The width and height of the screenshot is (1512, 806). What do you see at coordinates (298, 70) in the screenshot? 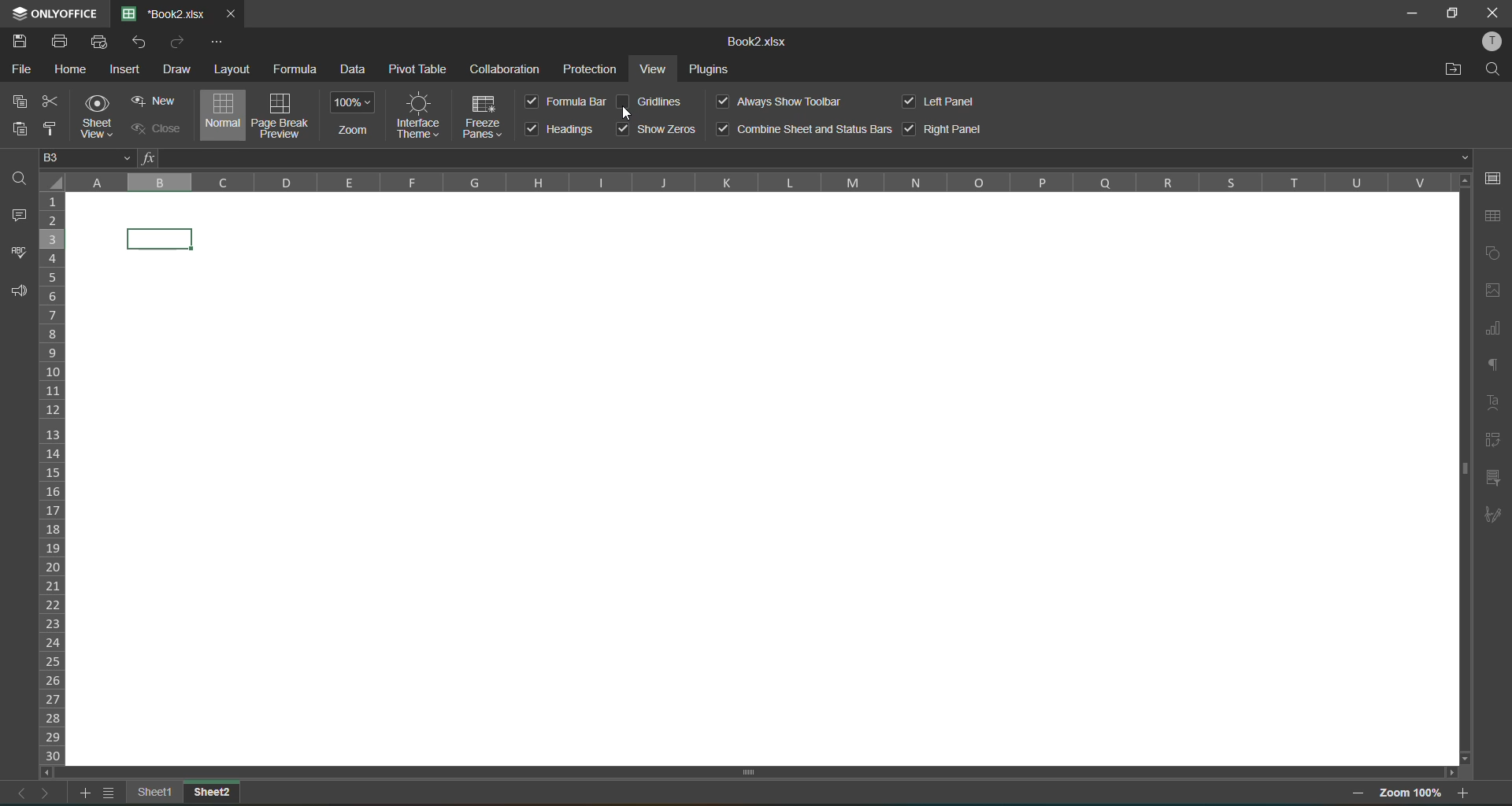
I see `formula` at bounding box center [298, 70].